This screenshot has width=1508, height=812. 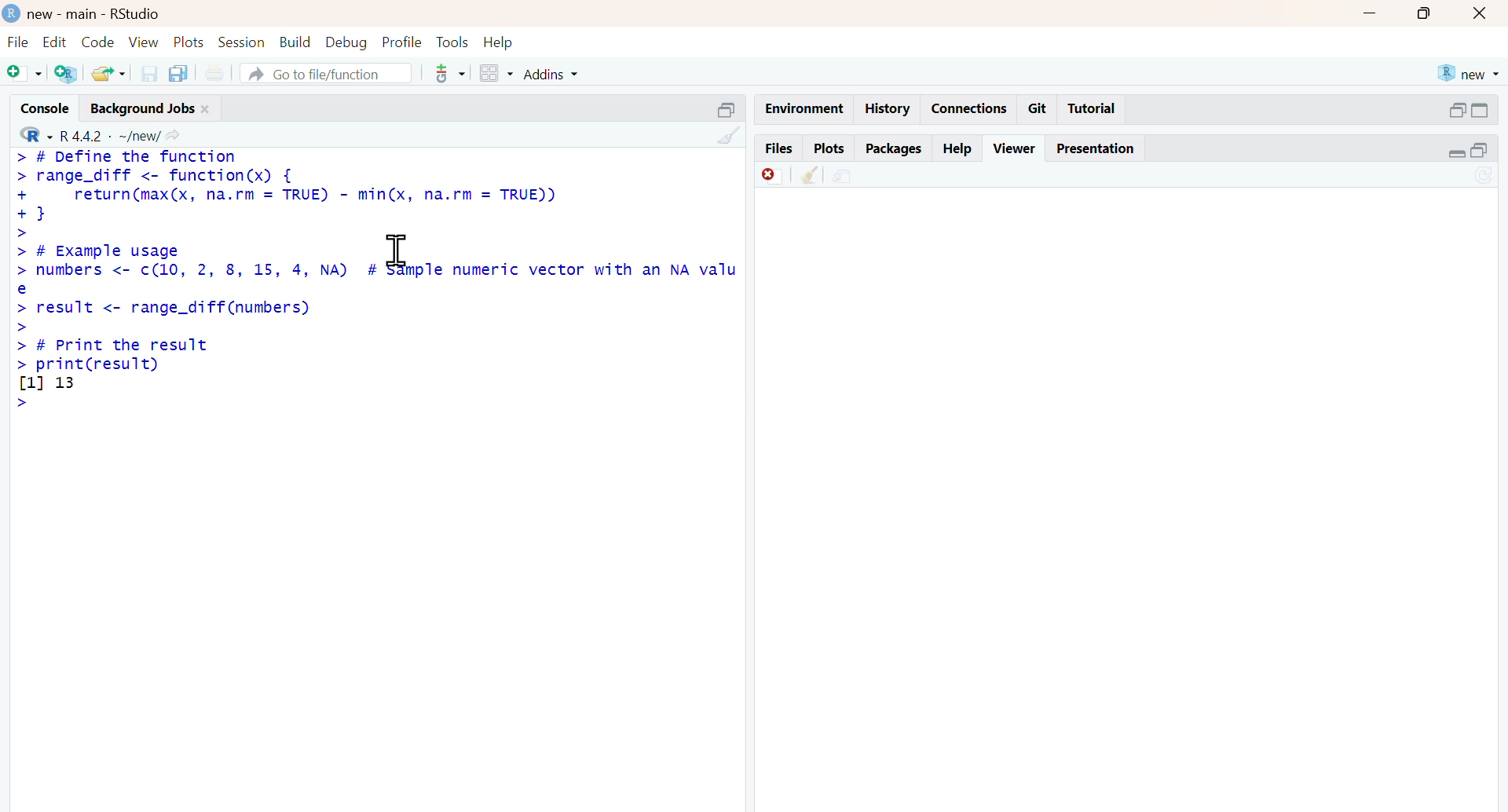 What do you see at coordinates (811, 174) in the screenshot?
I see `clean` at bounding box center [811, 174].